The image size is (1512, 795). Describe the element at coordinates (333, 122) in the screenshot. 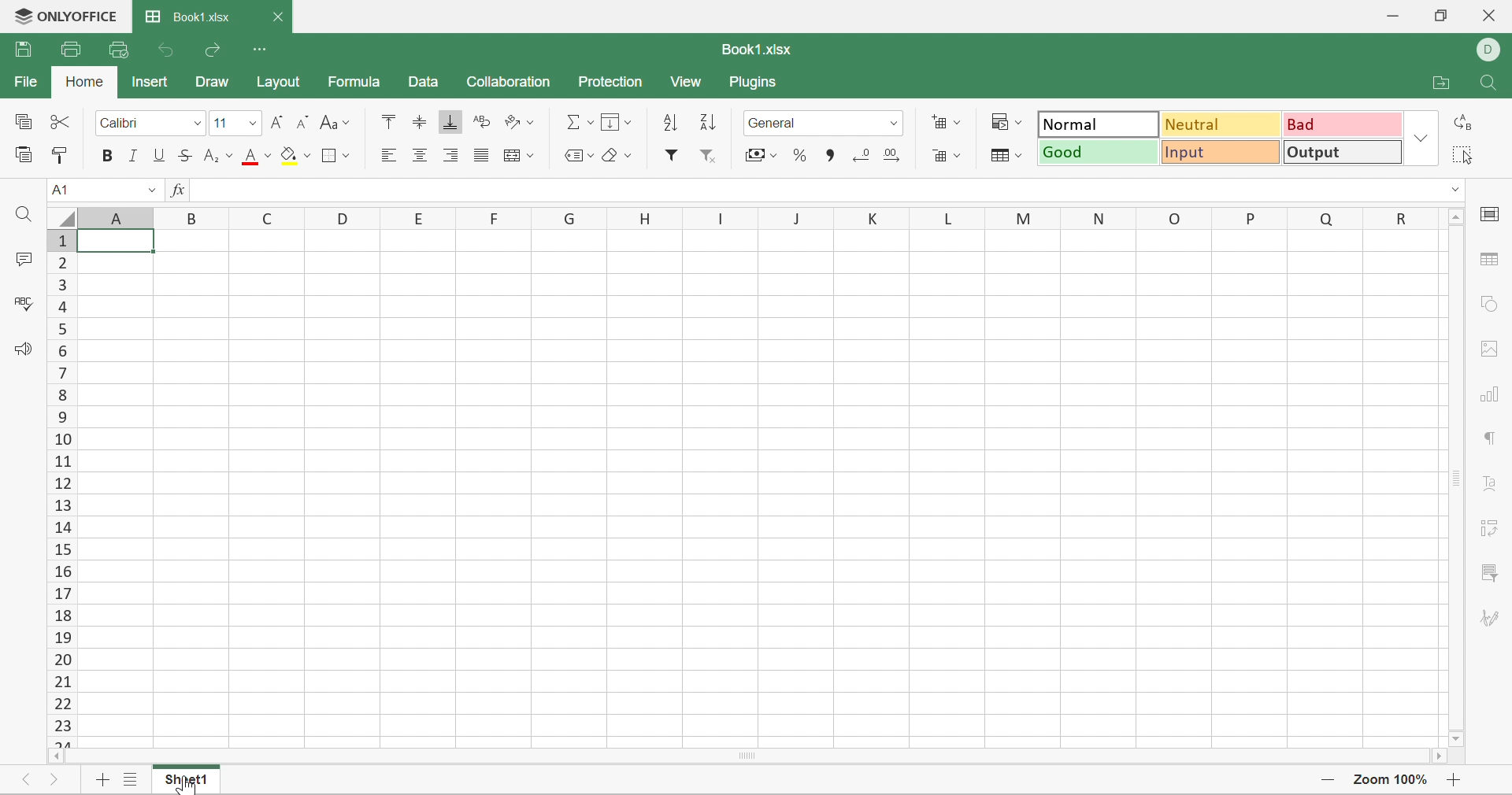

I see `Change case` at that location.